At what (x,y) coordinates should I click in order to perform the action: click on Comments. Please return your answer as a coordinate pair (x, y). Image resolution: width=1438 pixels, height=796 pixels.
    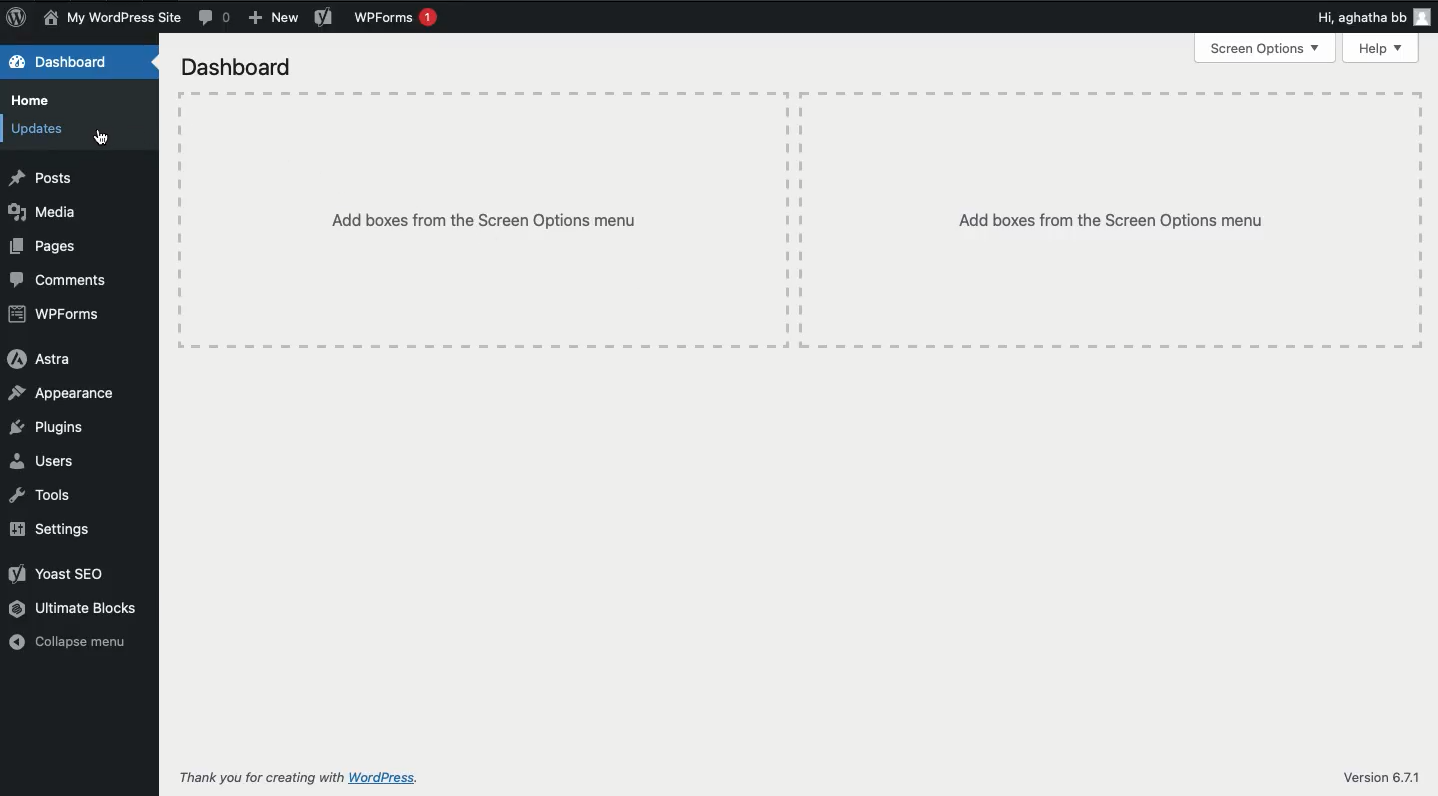
    Looking at the image, I should click on (59, 282).